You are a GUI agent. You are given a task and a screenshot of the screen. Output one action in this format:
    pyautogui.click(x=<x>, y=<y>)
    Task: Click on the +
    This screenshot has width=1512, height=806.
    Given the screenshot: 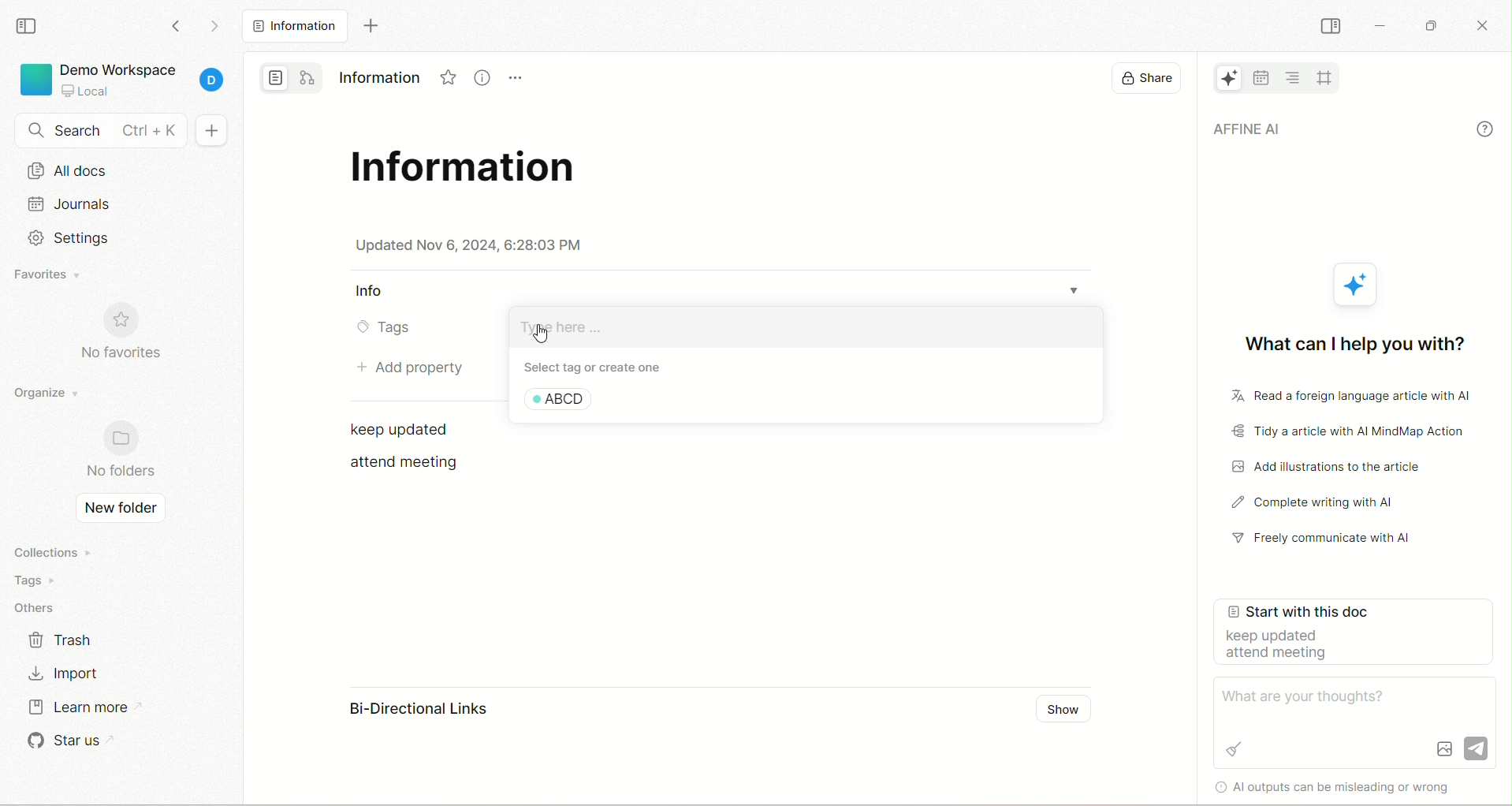 What is the action you would take?
    pyautogui.click(x=217, y=129)
    